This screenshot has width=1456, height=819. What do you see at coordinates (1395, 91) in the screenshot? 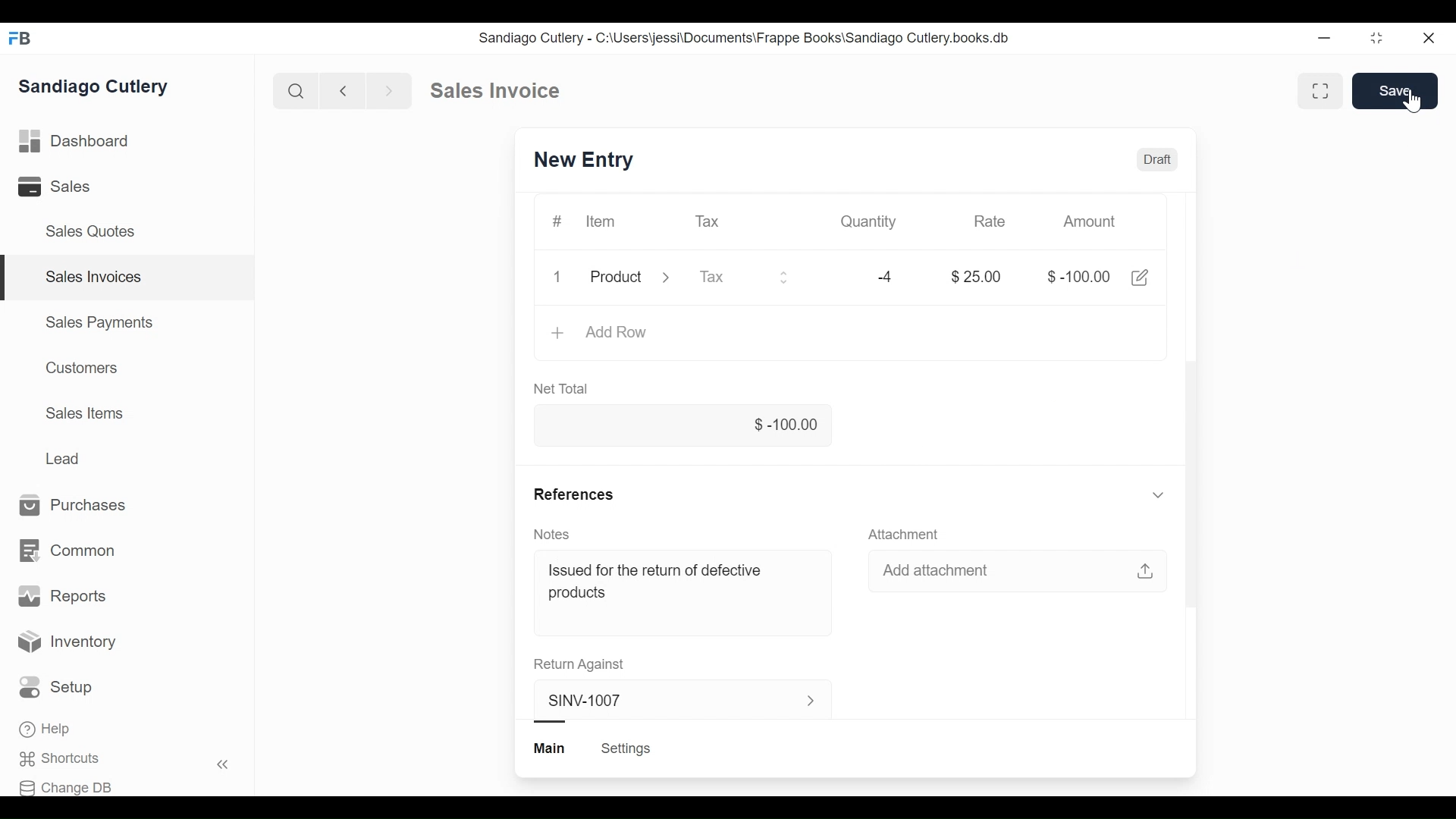
I see `Save` at bounding box center [1395, 91].